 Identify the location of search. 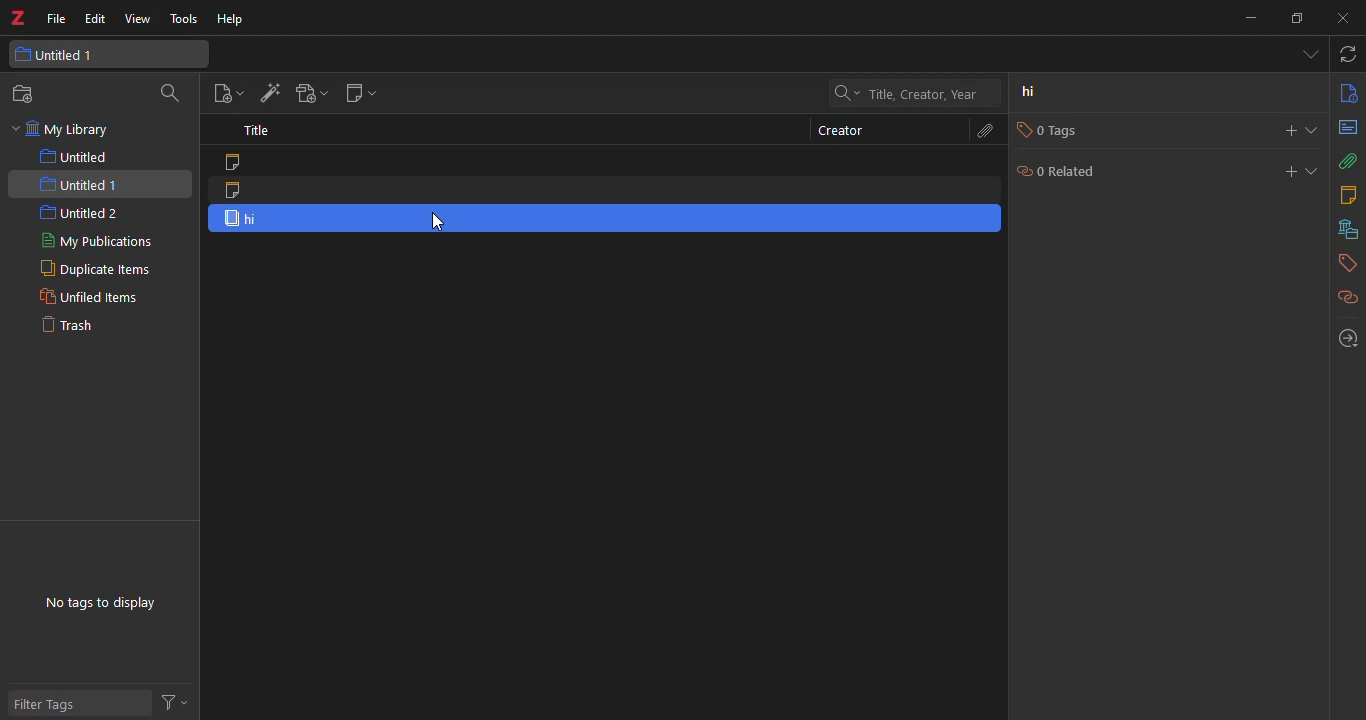
(173, 93).